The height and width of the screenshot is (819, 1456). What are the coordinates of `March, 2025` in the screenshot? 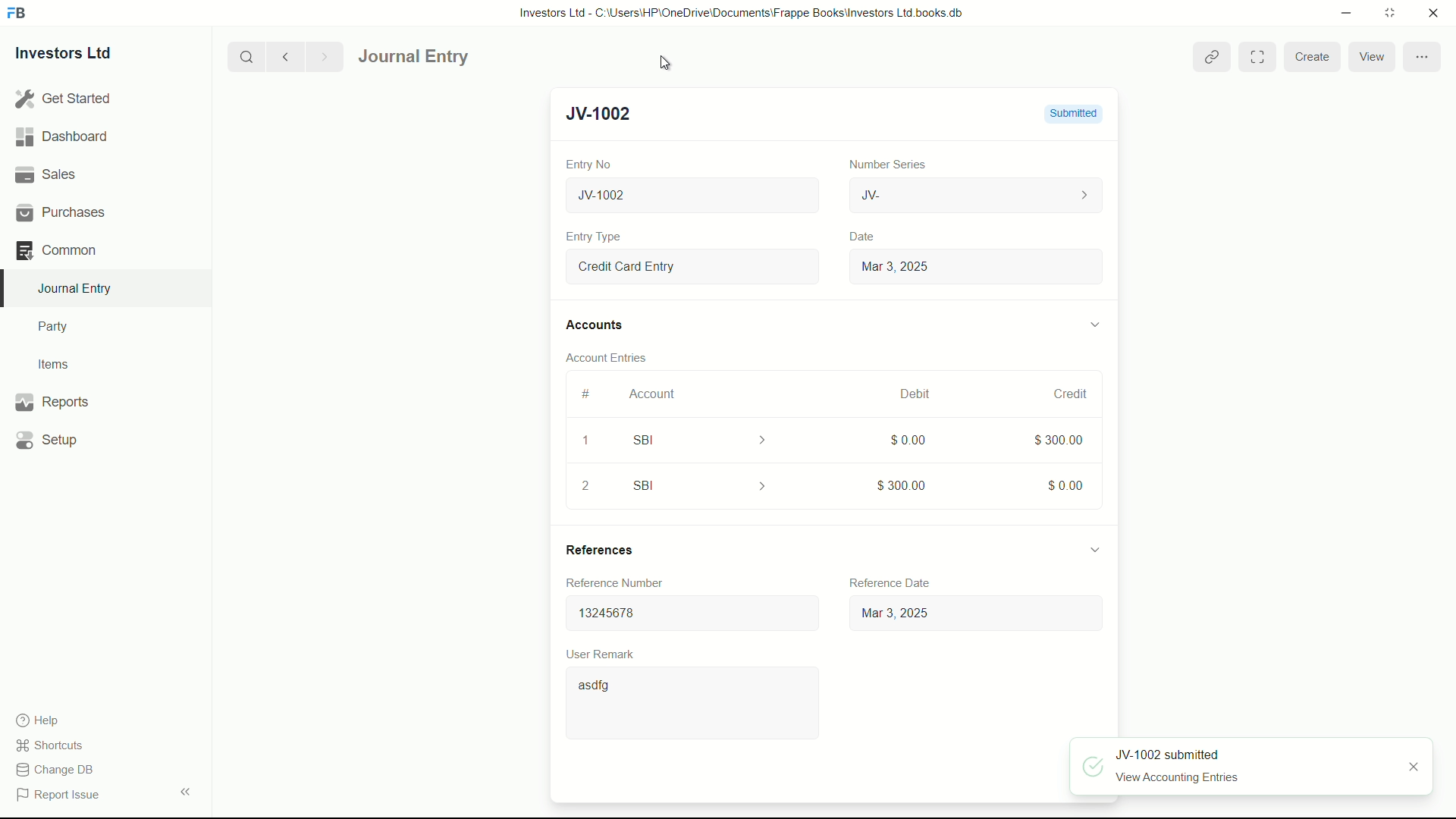 It's located at (900, 394).